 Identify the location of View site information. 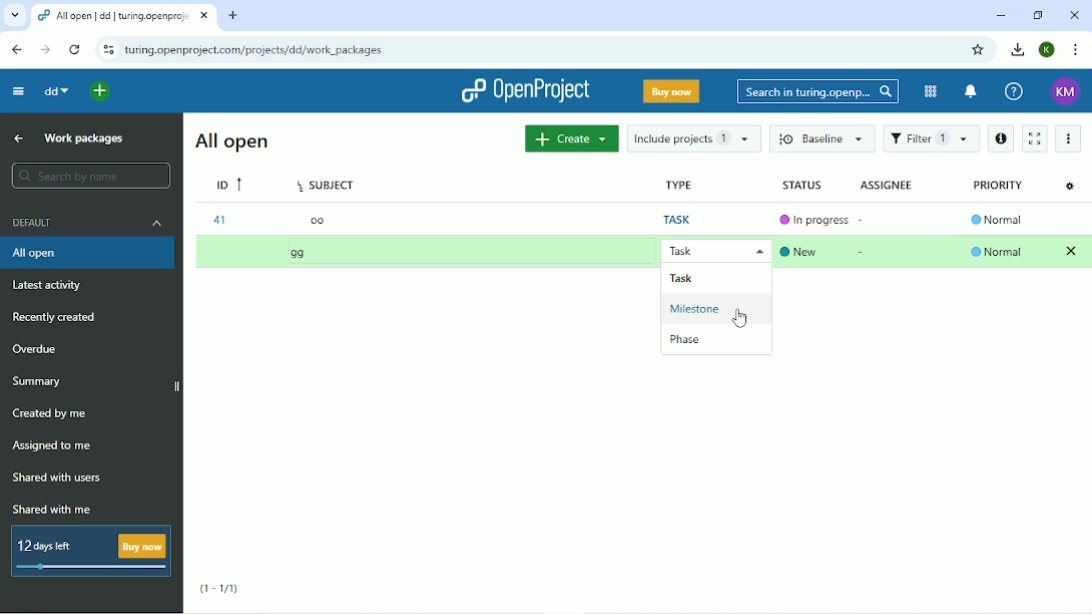
(108, 51).